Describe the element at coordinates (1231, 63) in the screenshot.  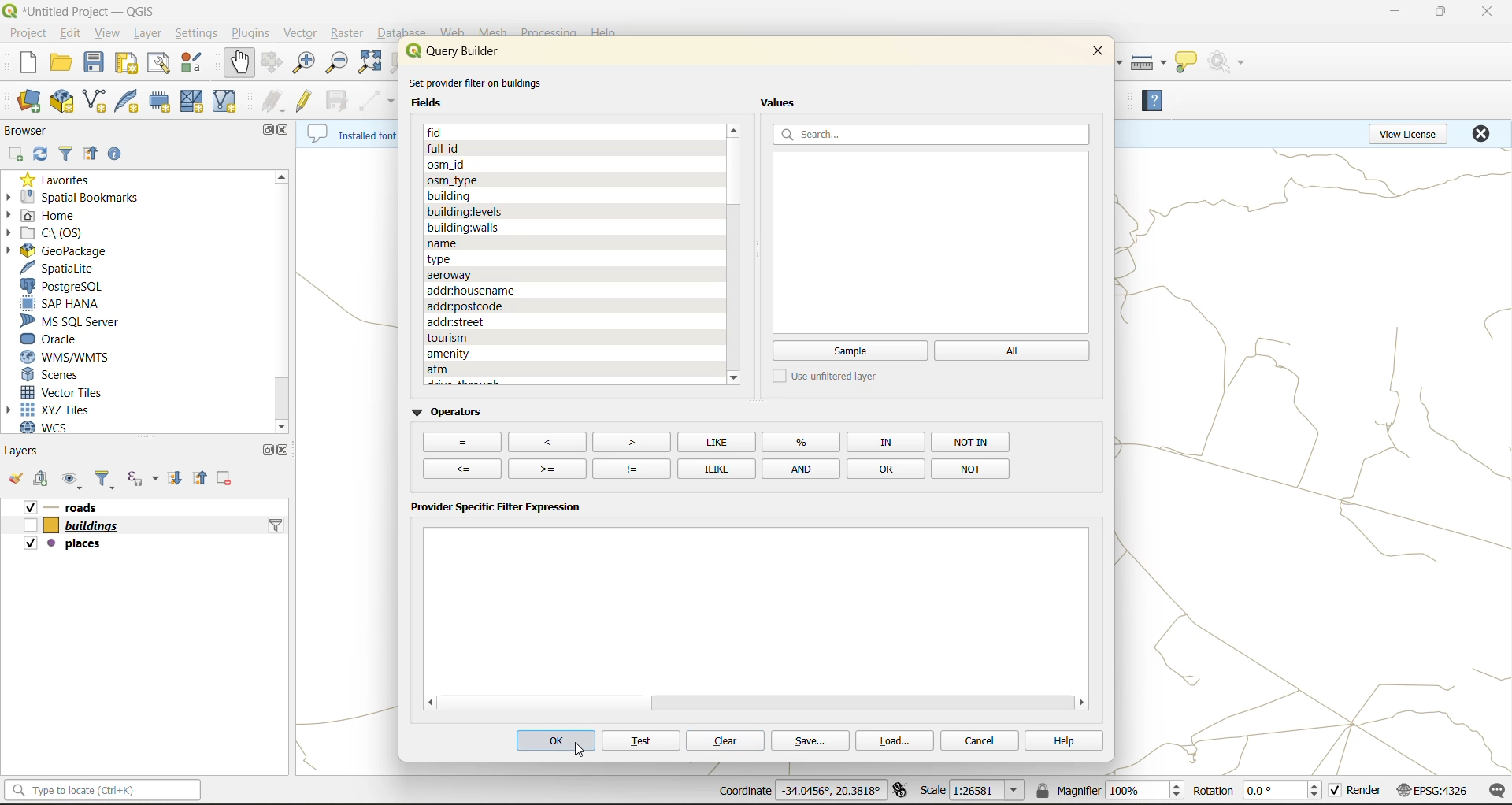
I see `no action` at that location.